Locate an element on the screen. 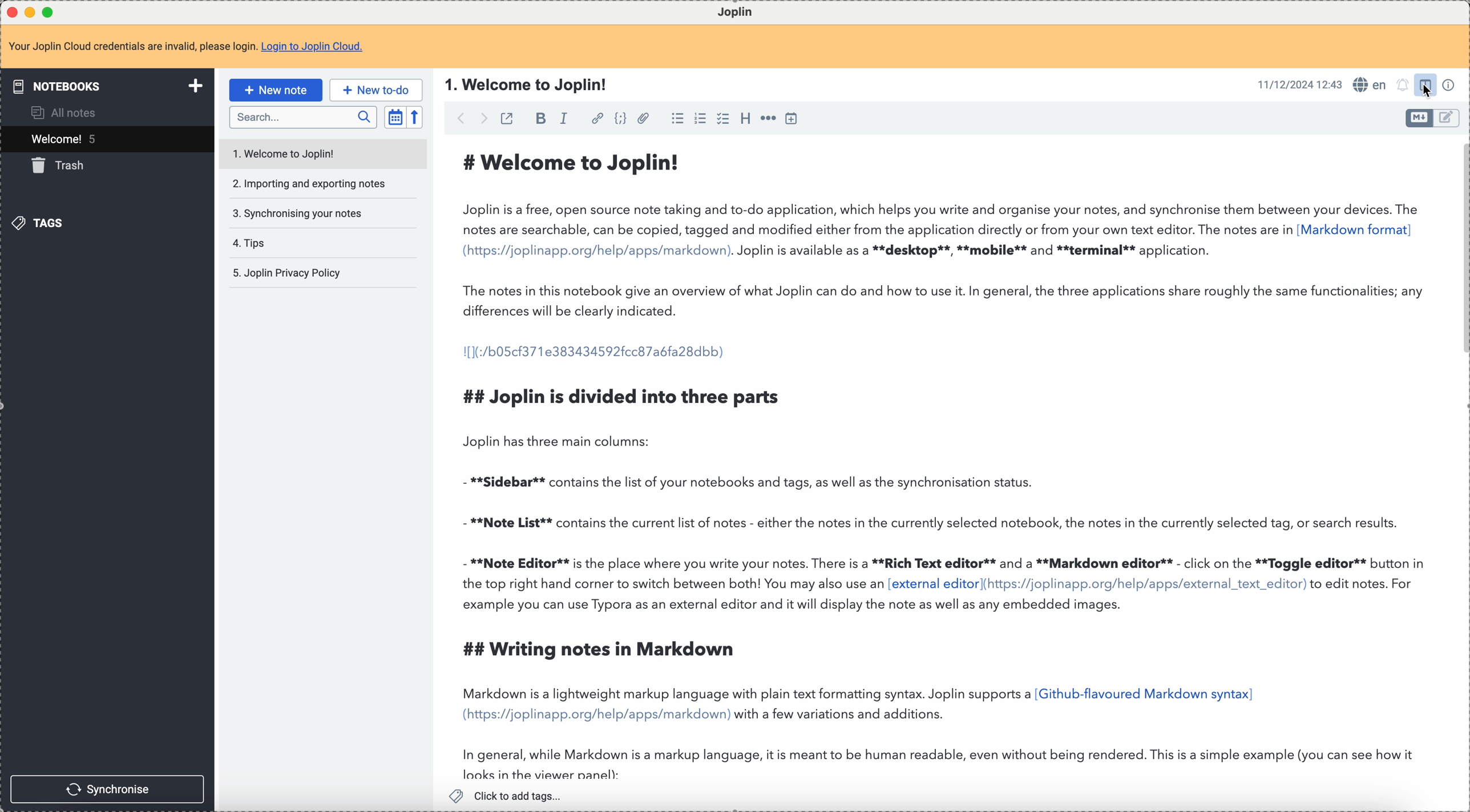  toggle editor is located at coordinates (1415, 119).